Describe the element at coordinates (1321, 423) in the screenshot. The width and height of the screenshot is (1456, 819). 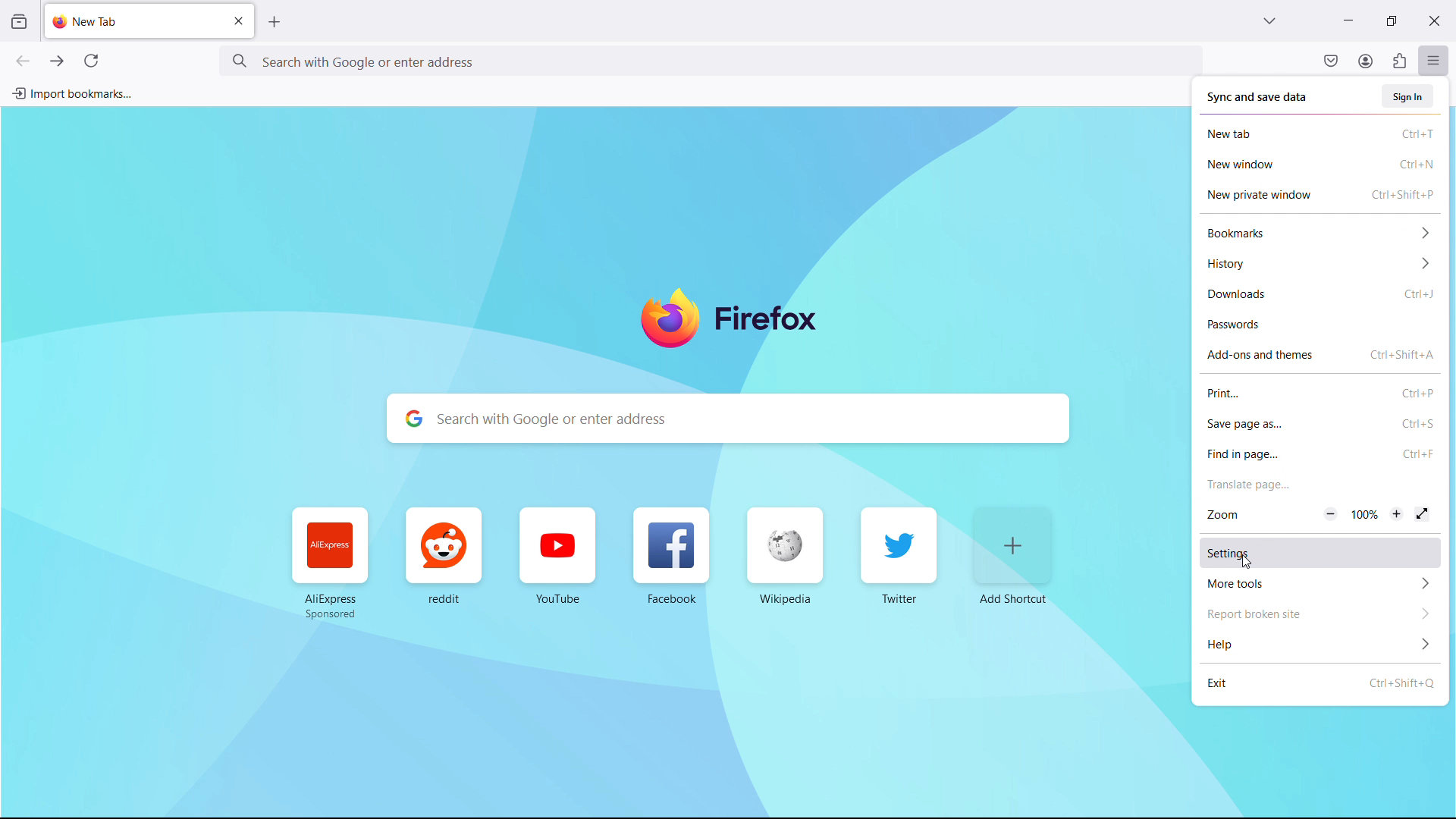
I see `save page as` at that location.